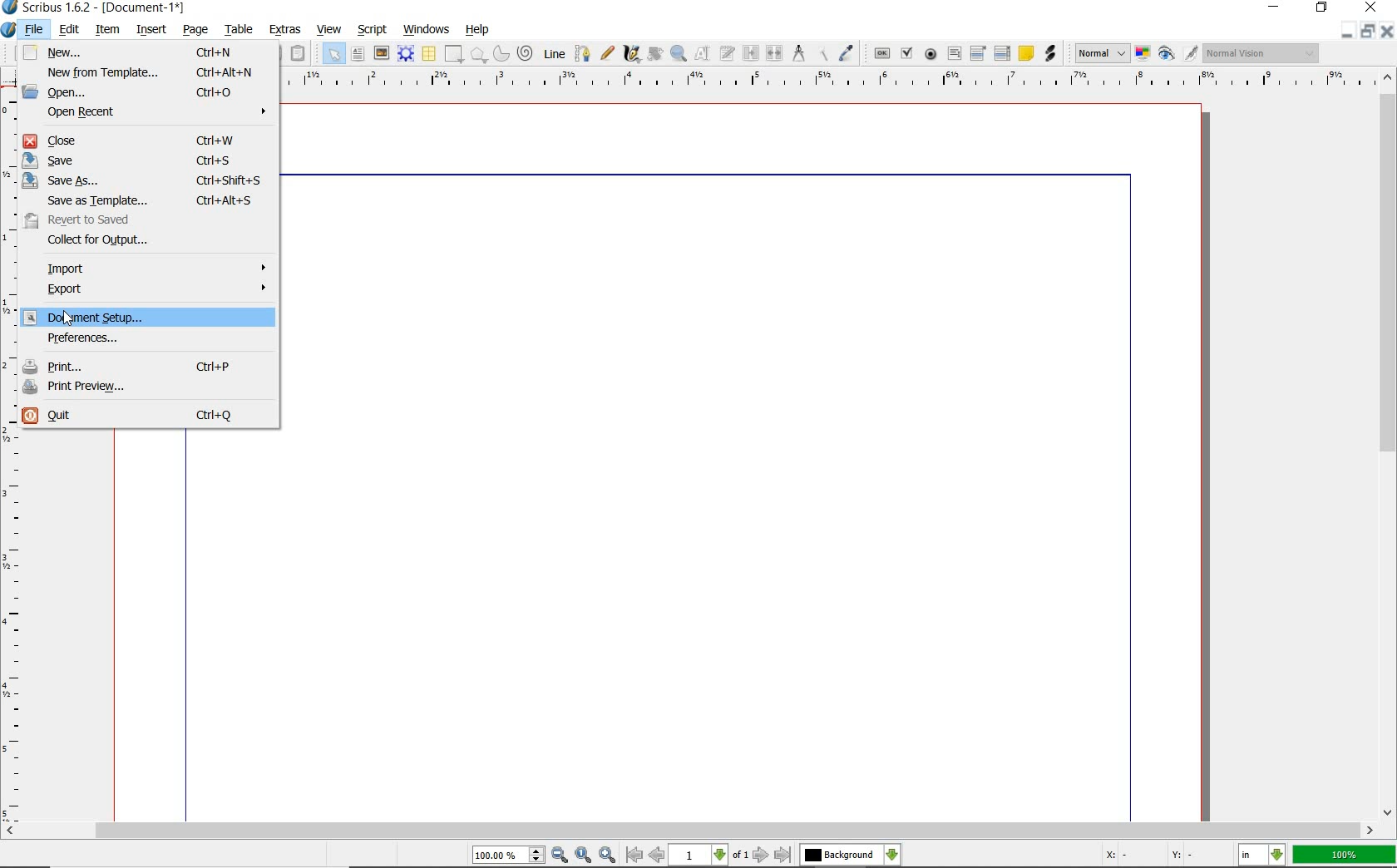 The height and width of the screenshot is (868, 1397). What do you see at coordinates (826, 83) in the screenshot?
I see `ruler` at bounding box center [826, 83].